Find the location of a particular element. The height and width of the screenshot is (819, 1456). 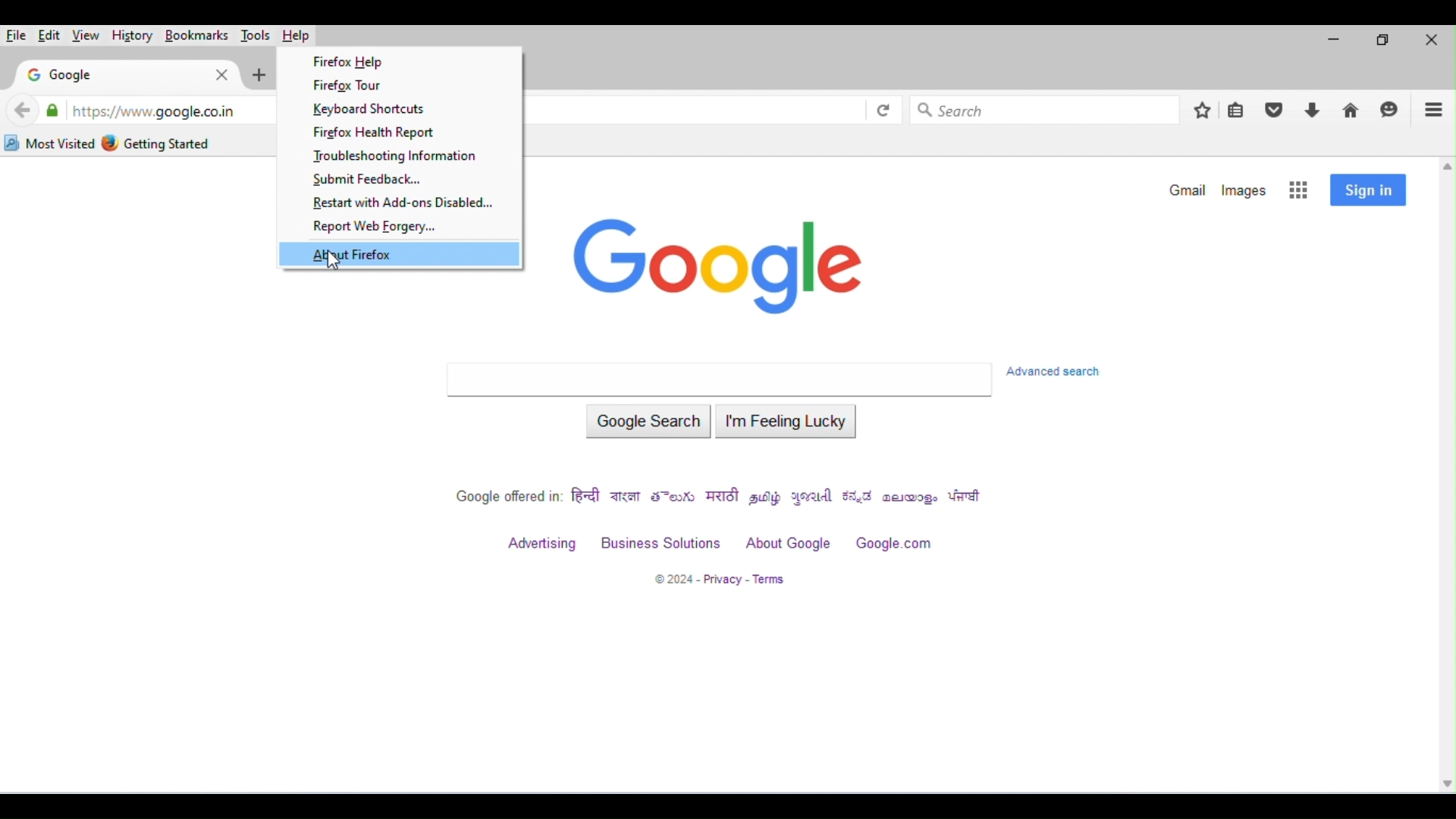

save to pocket is located at coordinates (1276, 110).